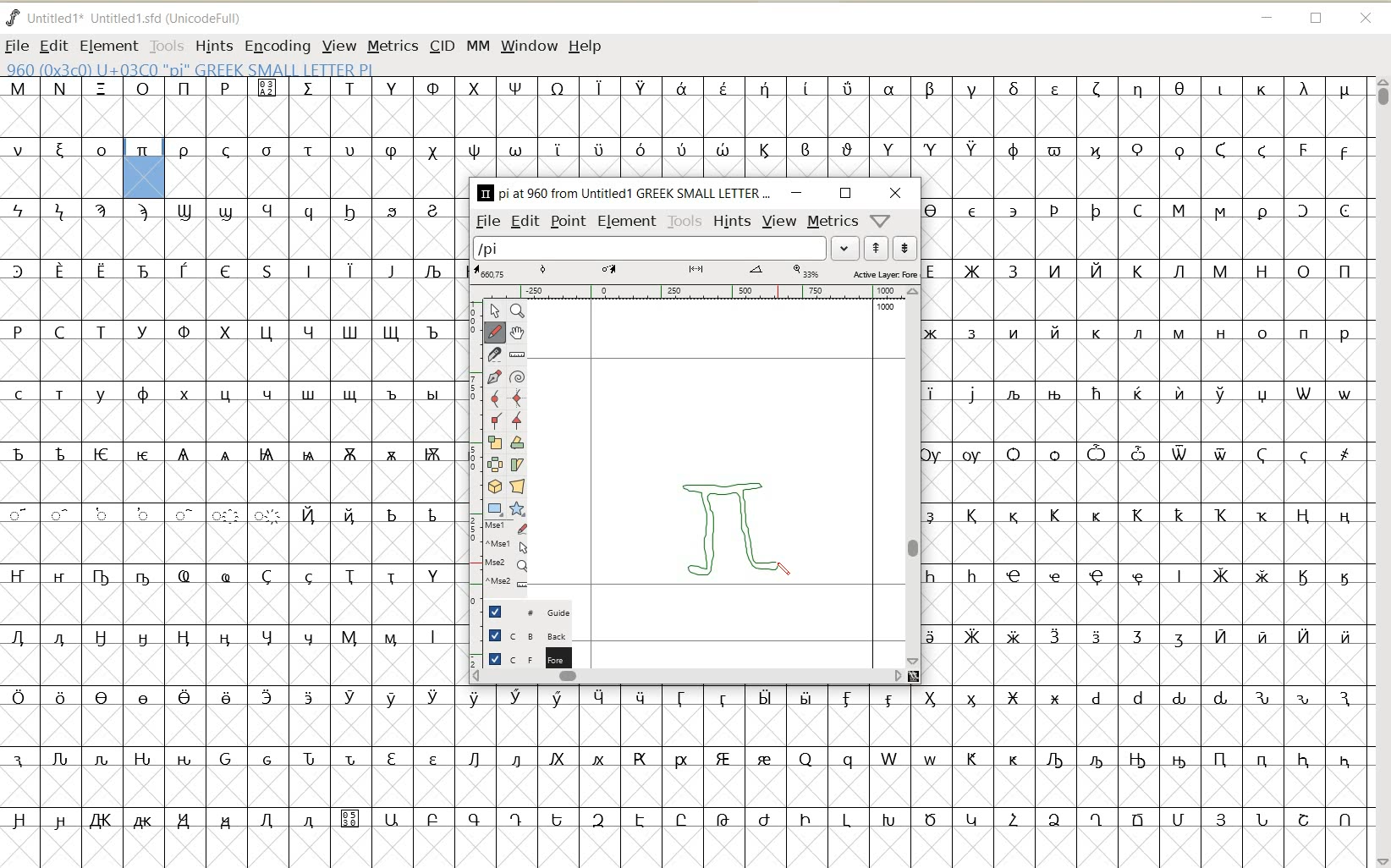  Describe the element at coordinates (745, 534) in the screenshot. I see `a pi symbol (π) creation` at that location.